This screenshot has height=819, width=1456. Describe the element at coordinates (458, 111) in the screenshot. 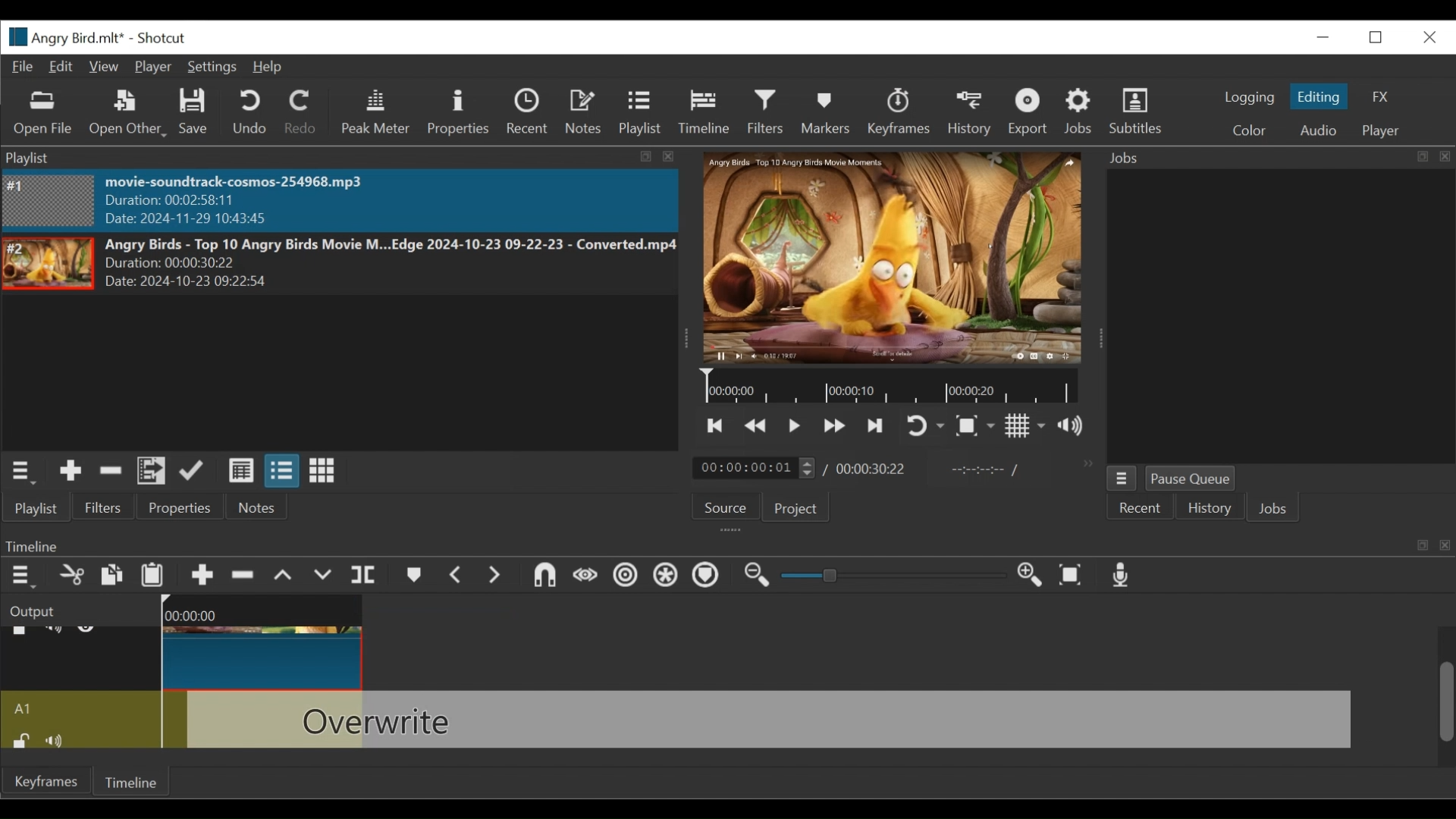

I see `Properties` at that location.